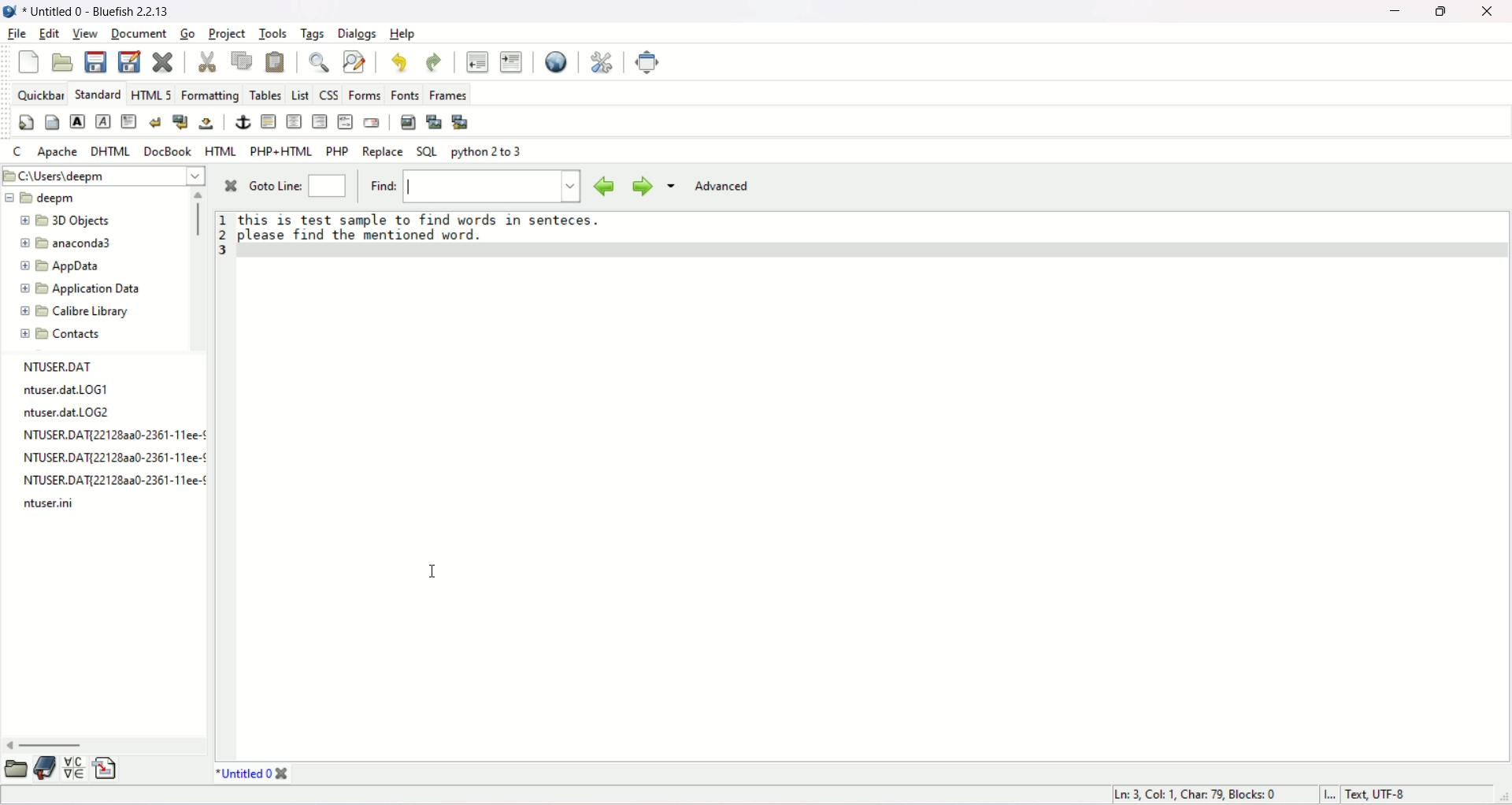 The height and width of the screenshot is (805, 1512). What do you see at coordinates (318, 60) in the screenshot?
I see `show find bar` at bounding box center [318, 60].